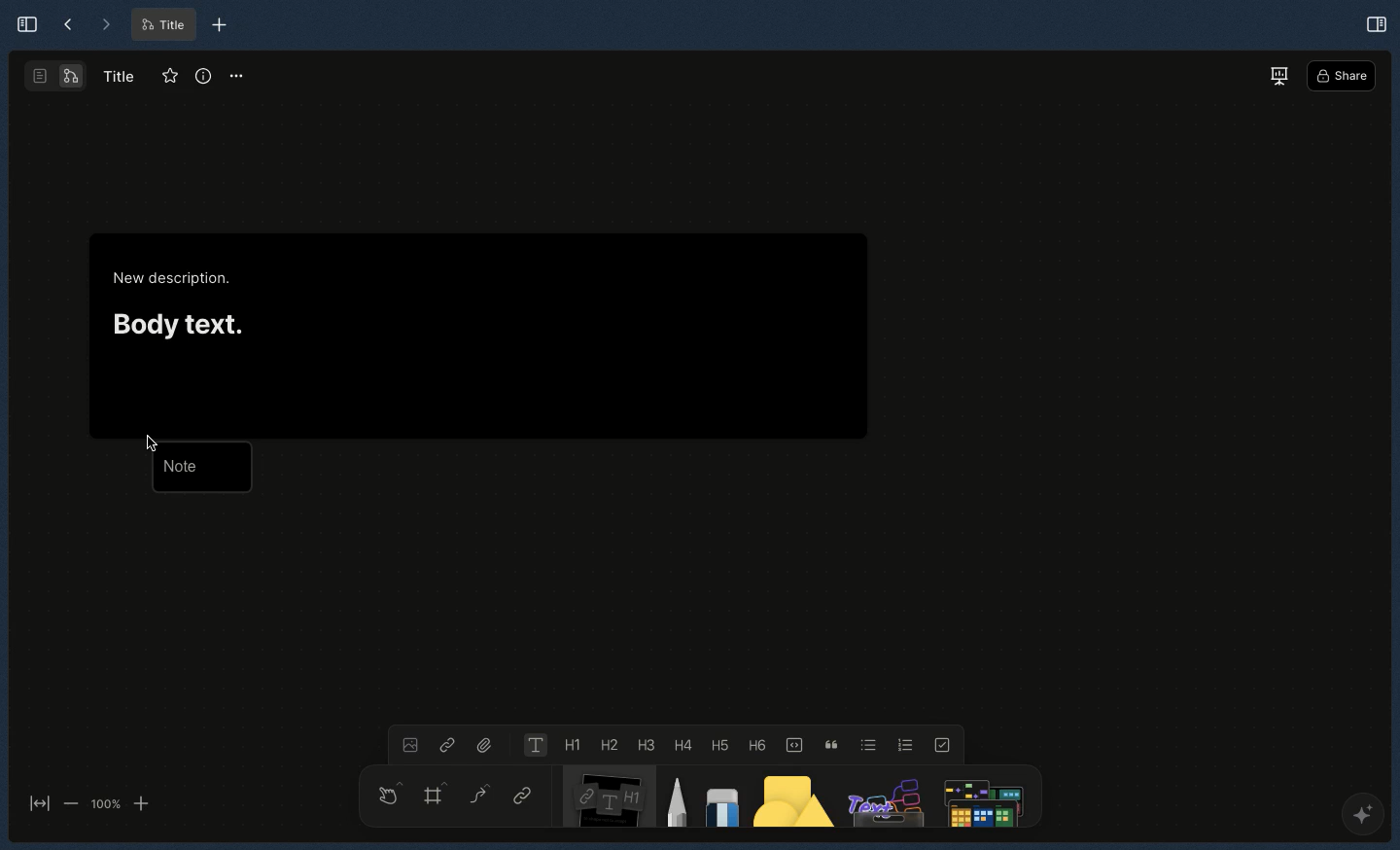  I want to click on Heading 1, so click(570, 746).